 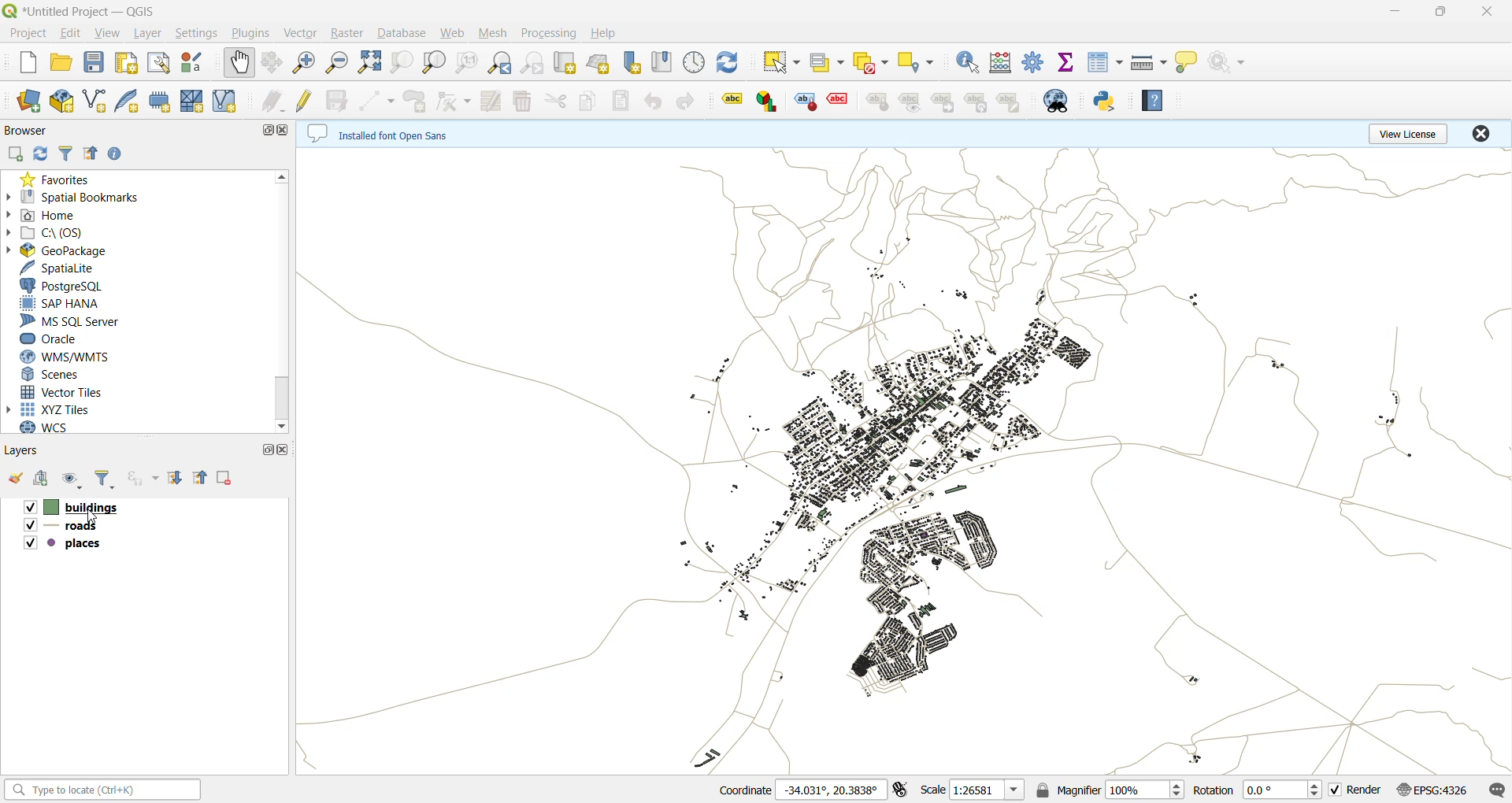 I want to click on select location, so click(x=917, y=64).